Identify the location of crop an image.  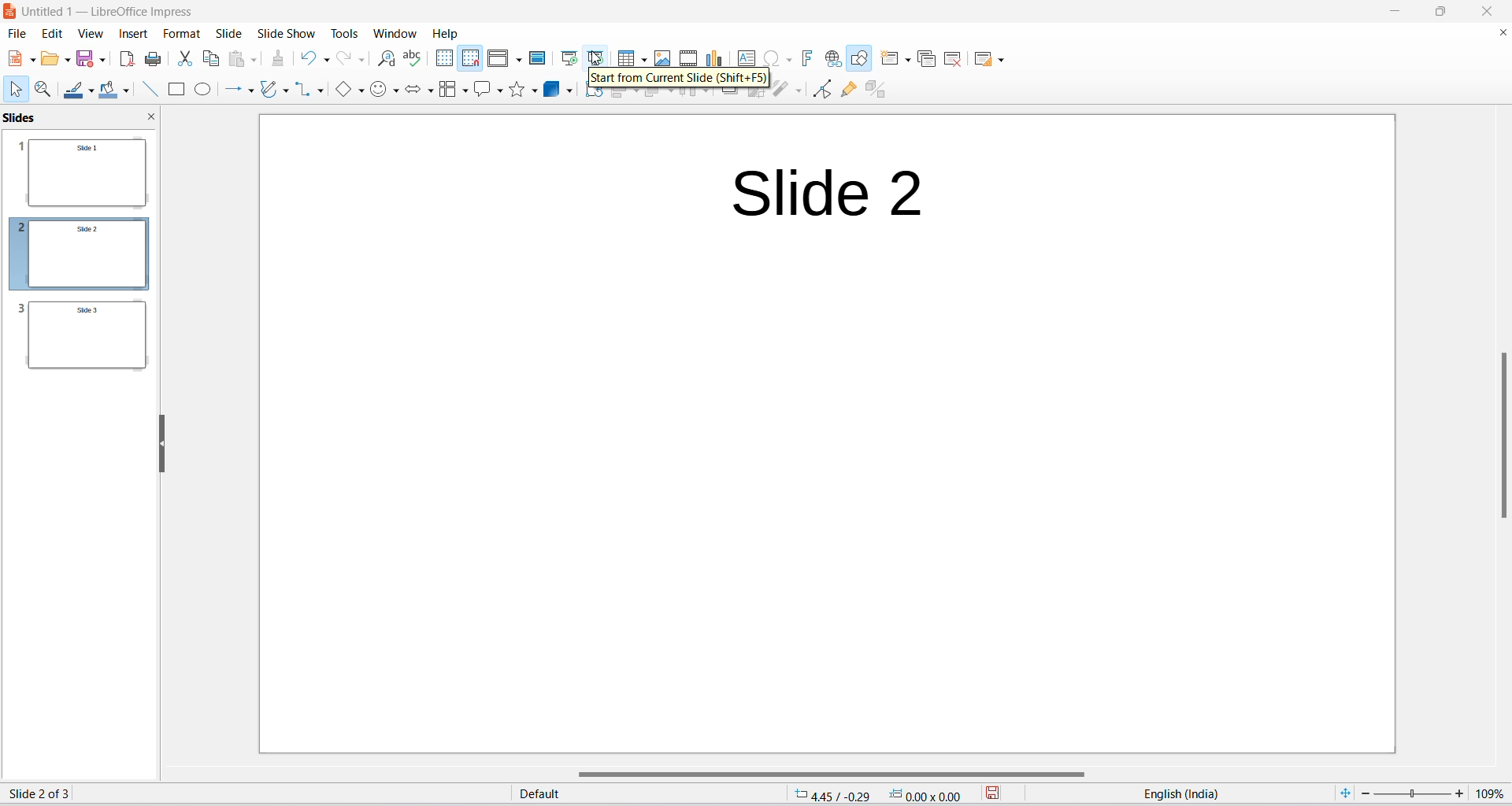
(755, 96).